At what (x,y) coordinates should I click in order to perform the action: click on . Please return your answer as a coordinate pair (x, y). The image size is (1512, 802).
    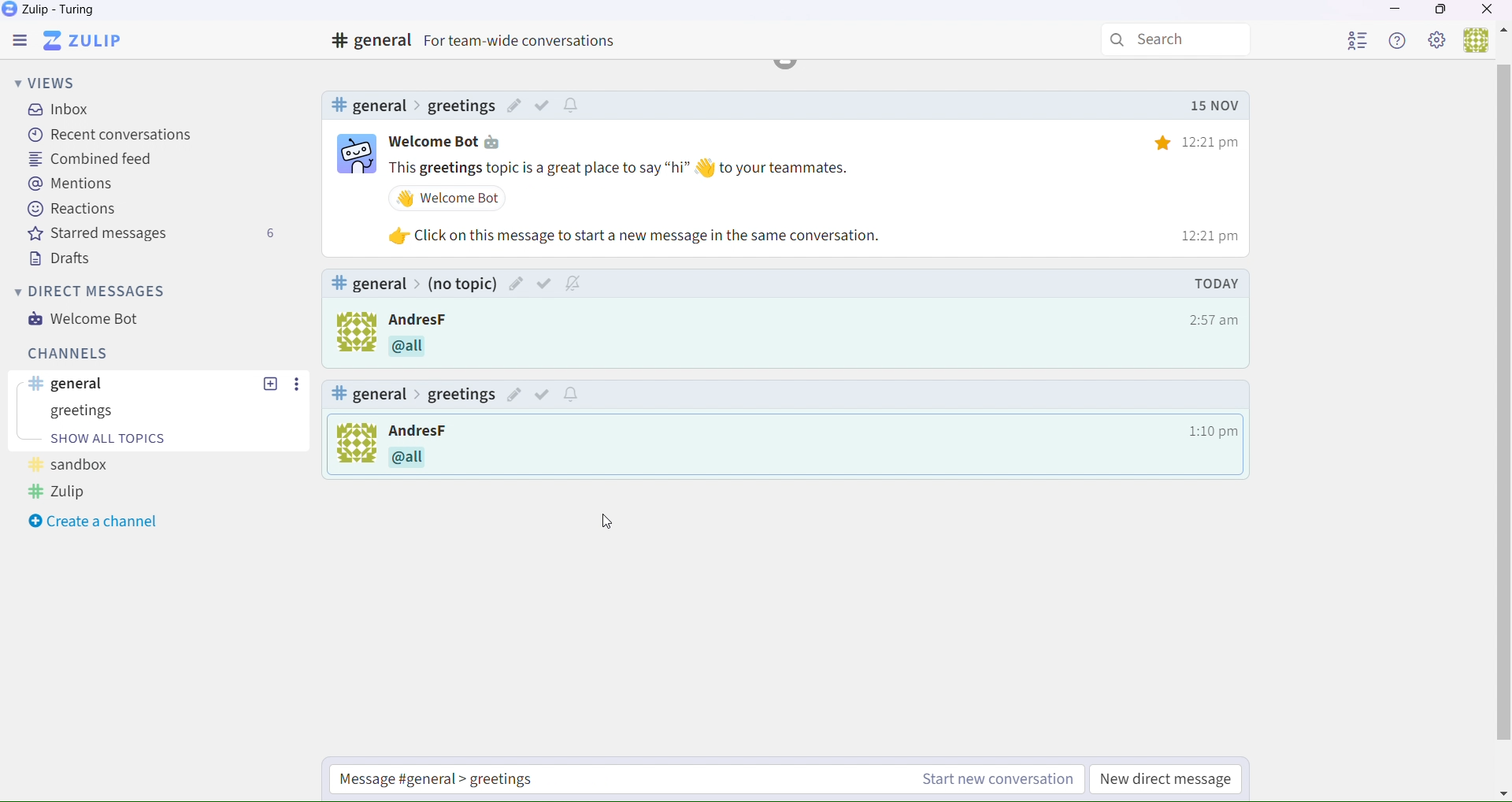
    Looking at the image, I should click on (638, 234).